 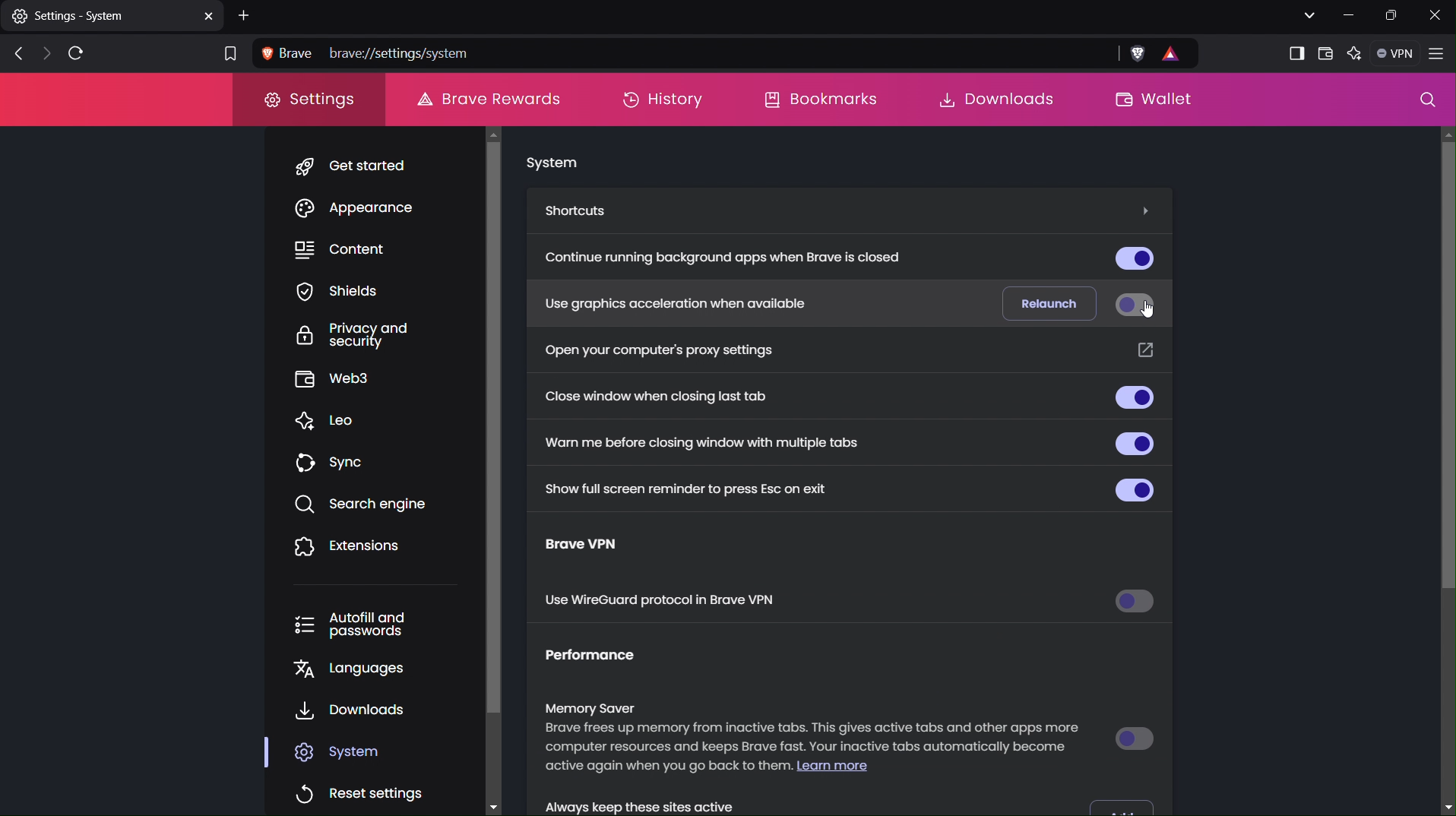 I want to click on , so click(x=1447, y=368).